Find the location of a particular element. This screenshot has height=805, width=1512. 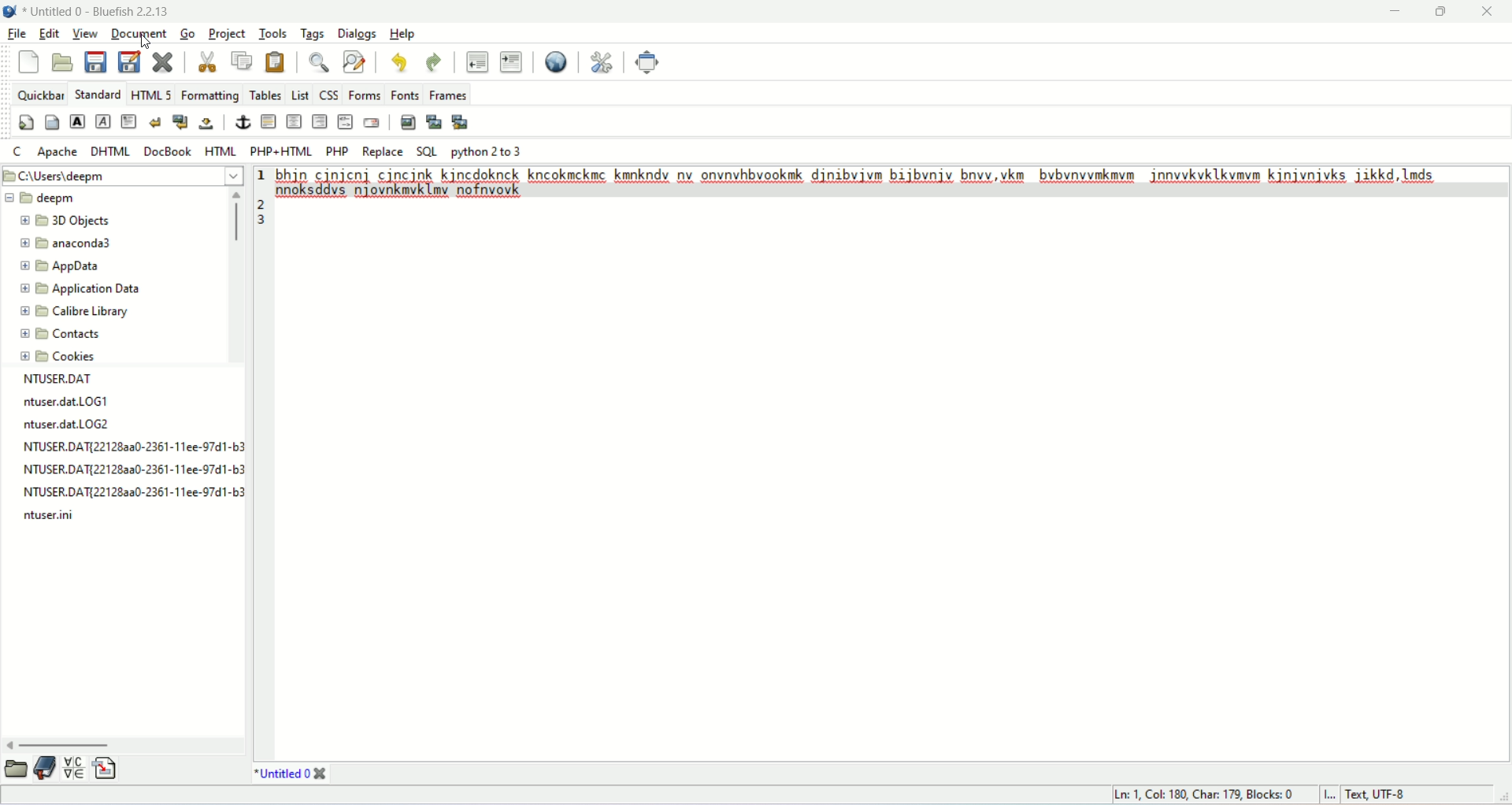

HTML 5 is located at coordinates (149, 94).